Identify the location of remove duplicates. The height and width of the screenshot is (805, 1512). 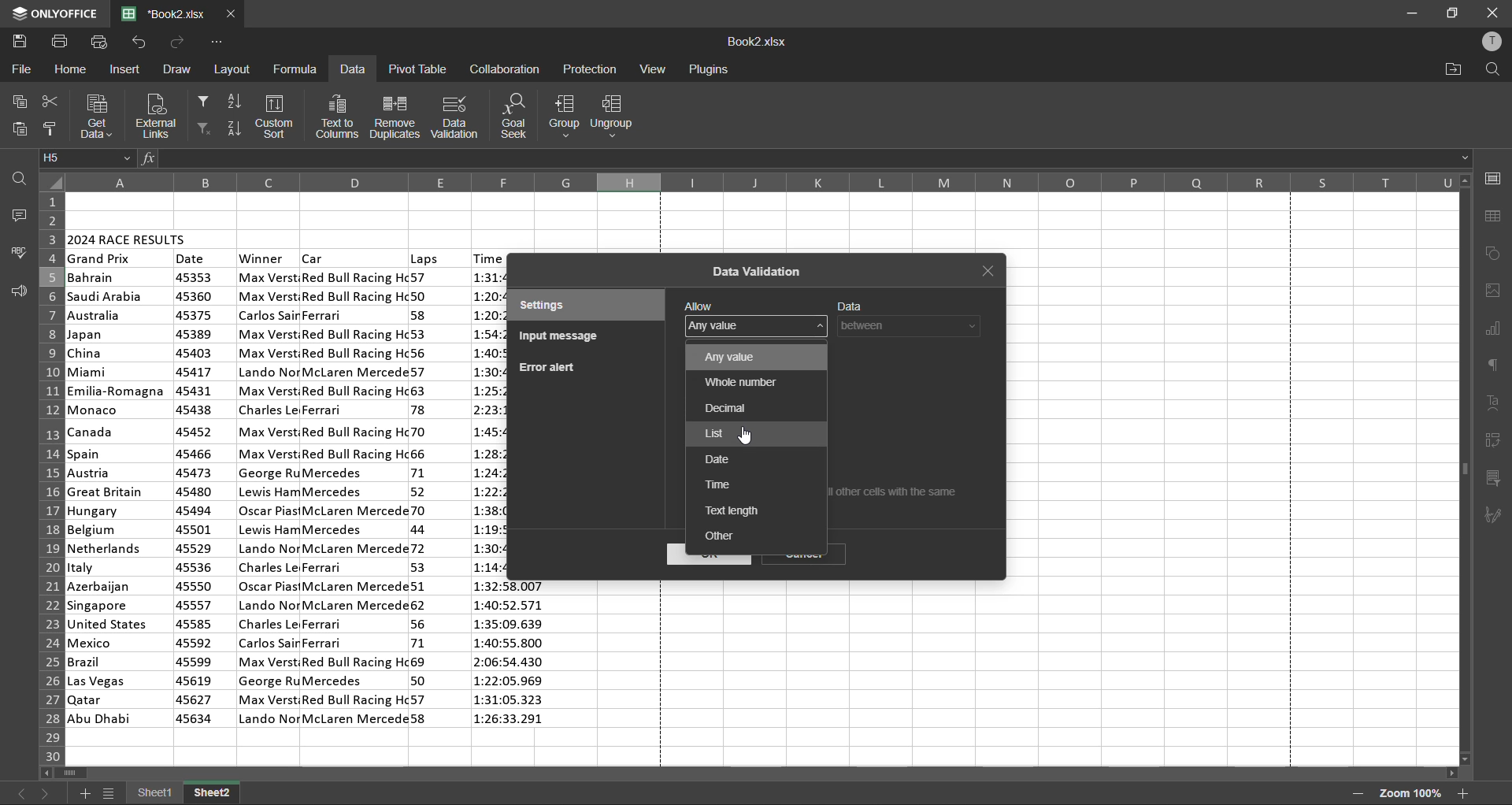
(396, 117).